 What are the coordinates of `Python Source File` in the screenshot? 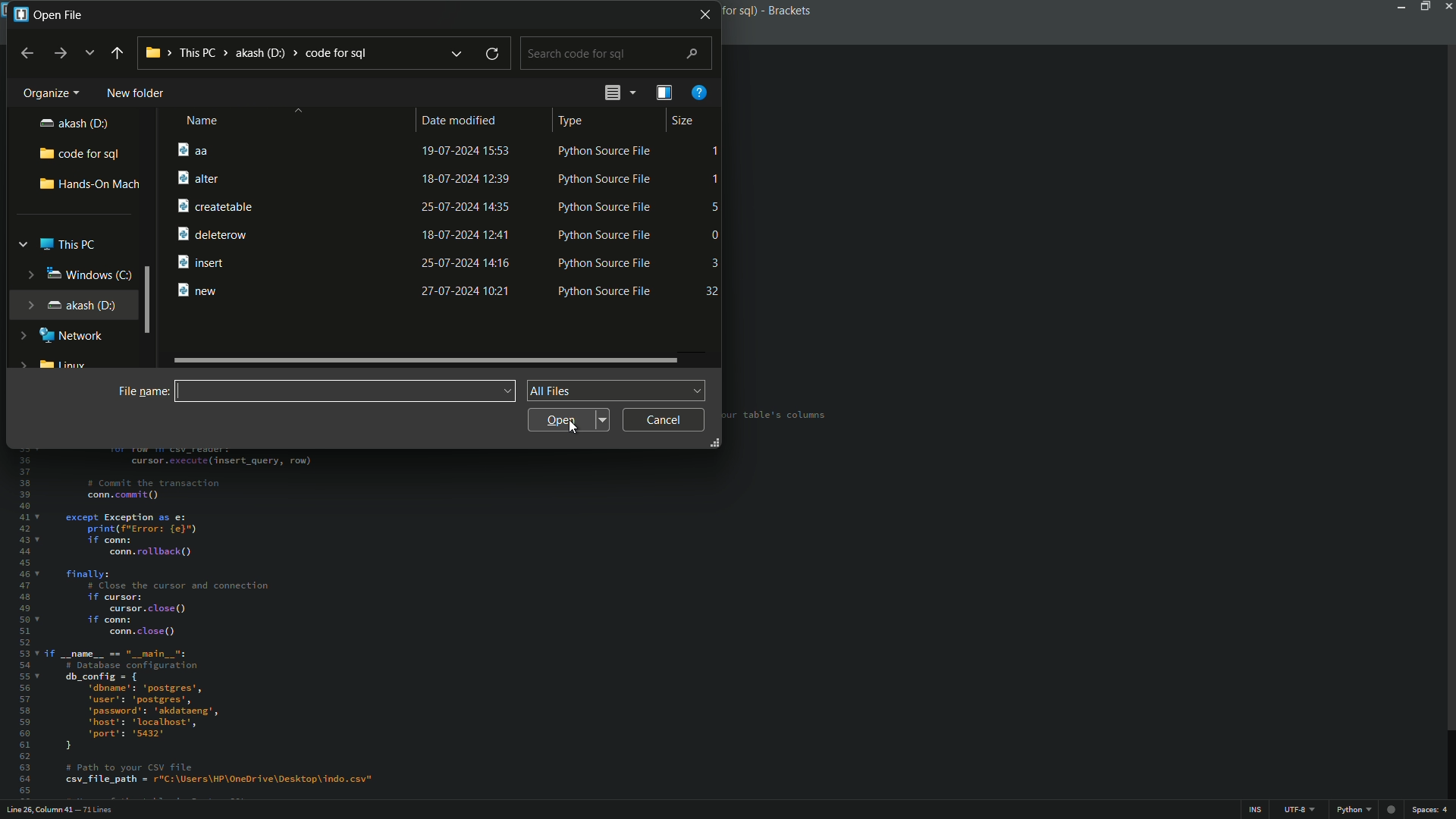 It's located at (601, 150).